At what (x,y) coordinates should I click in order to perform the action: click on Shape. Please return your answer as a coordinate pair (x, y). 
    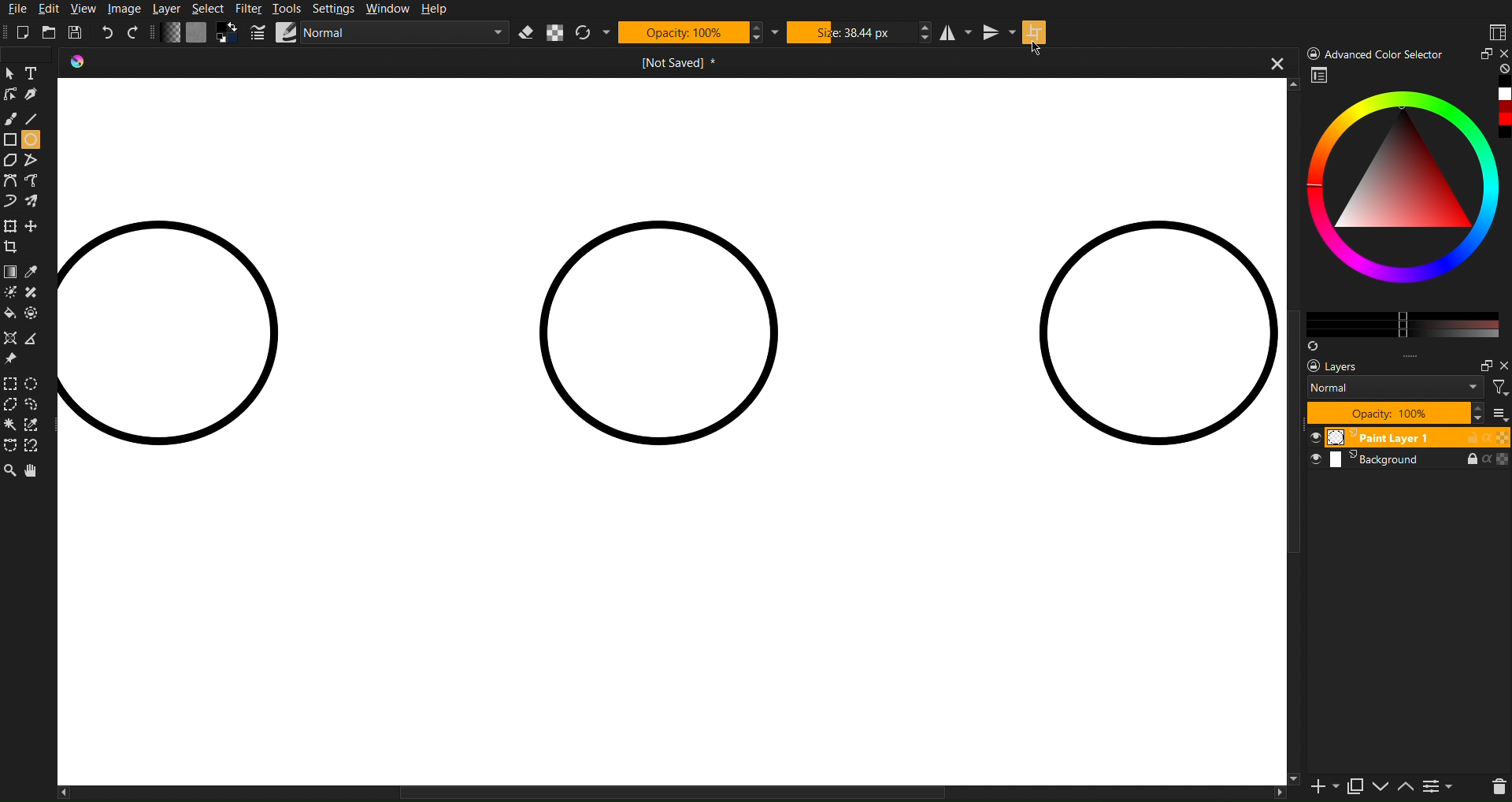
    Looking at the image, I should click on (30, 313).